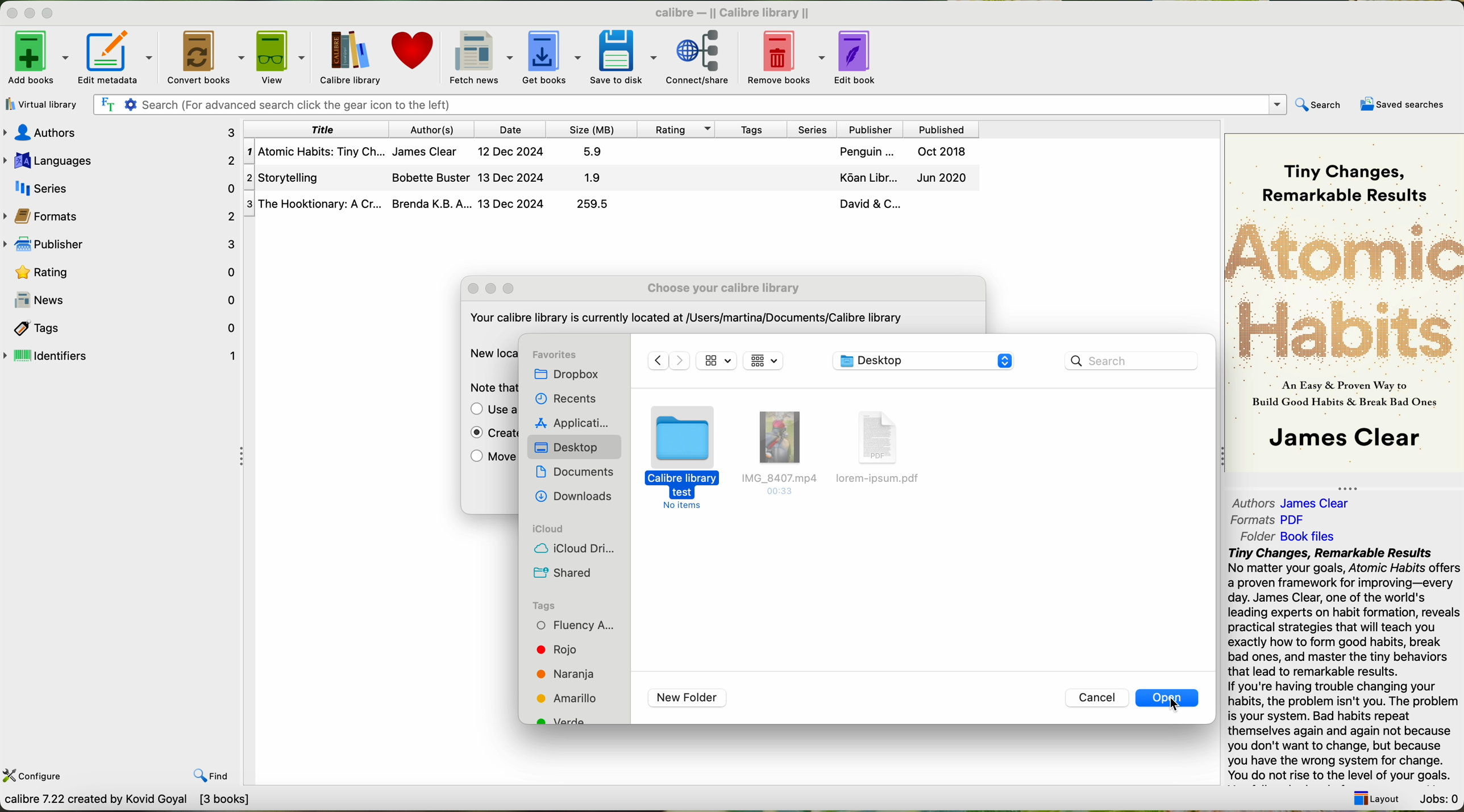 This screenshot has height=812, width=1464. I want to click on minimize, so click(495, 289).